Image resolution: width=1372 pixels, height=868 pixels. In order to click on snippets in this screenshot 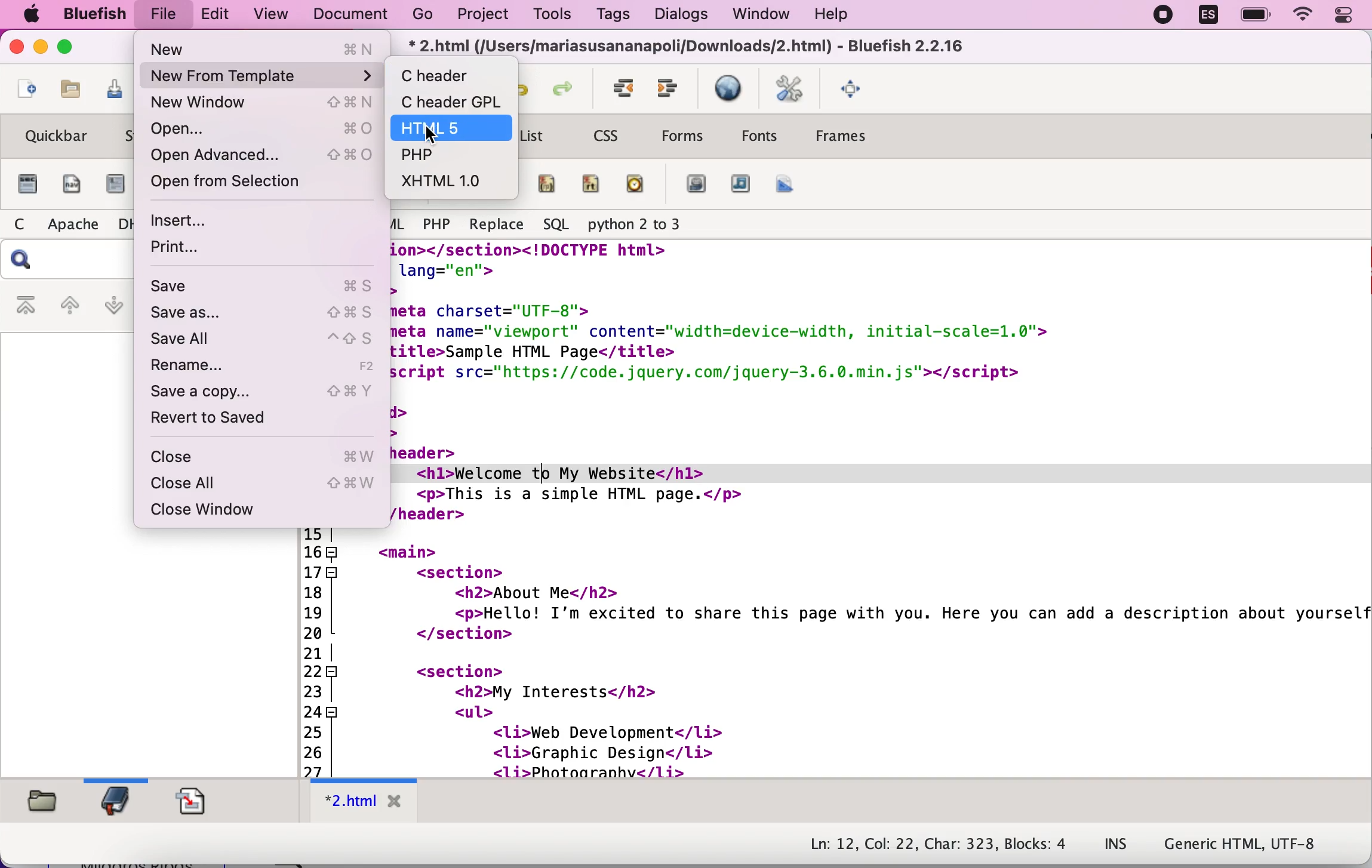, I will do `click(200, 802)`.